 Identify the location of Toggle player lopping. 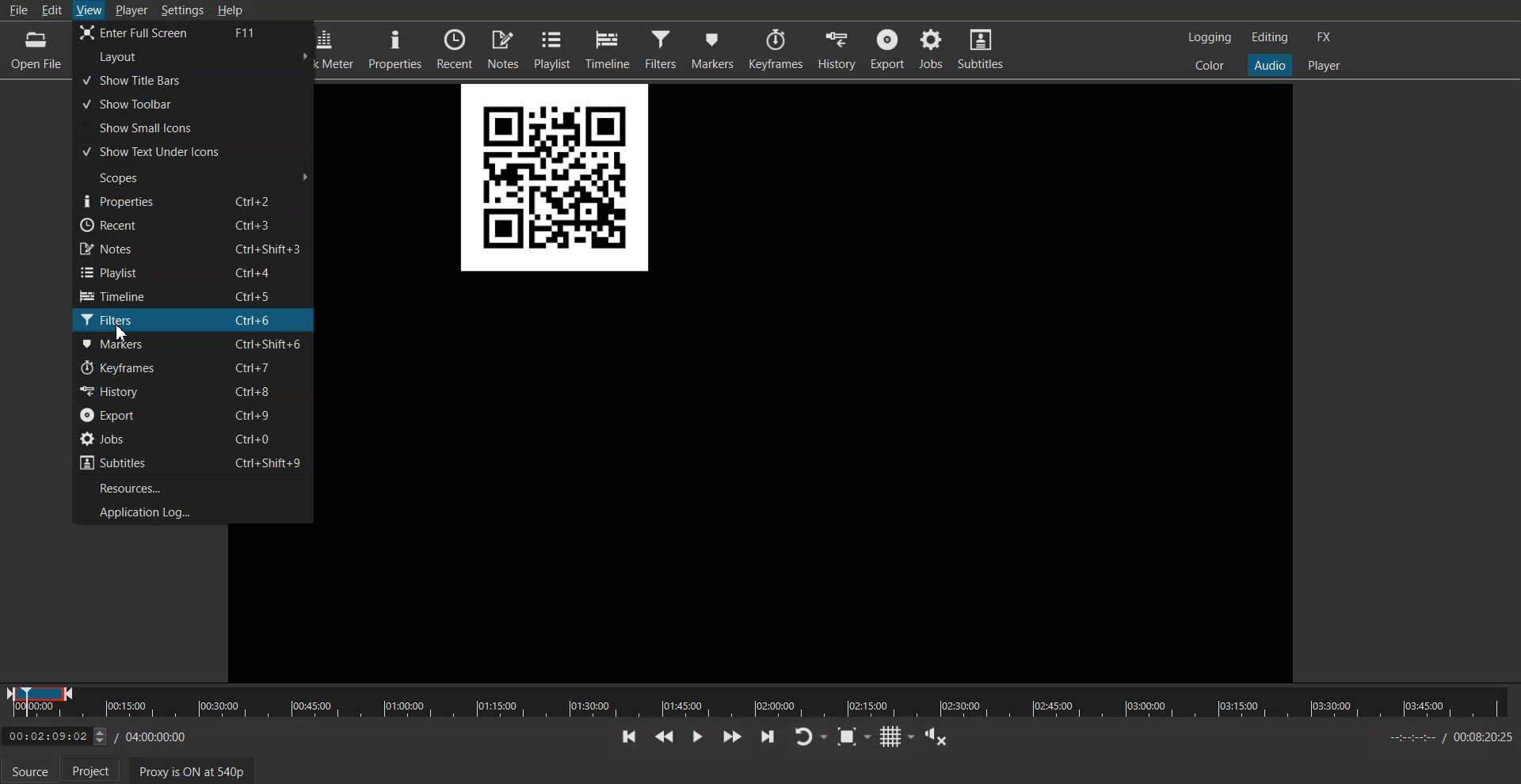
(810, 736).